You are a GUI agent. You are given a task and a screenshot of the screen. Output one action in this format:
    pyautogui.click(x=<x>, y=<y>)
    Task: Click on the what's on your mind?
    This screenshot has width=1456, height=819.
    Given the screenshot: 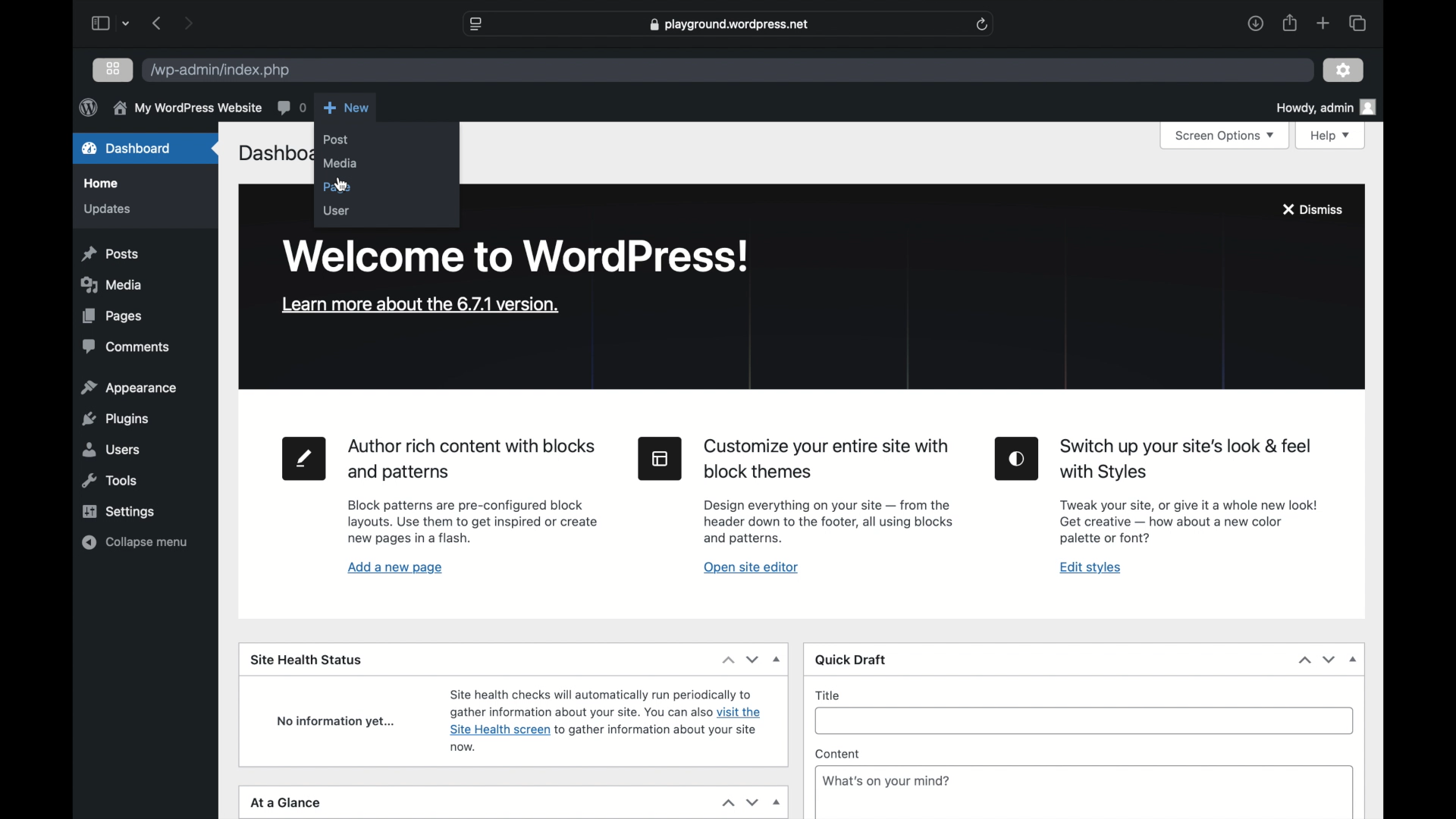 What is the action you would take?
    pyautogui.click(x=886, y=780)
    